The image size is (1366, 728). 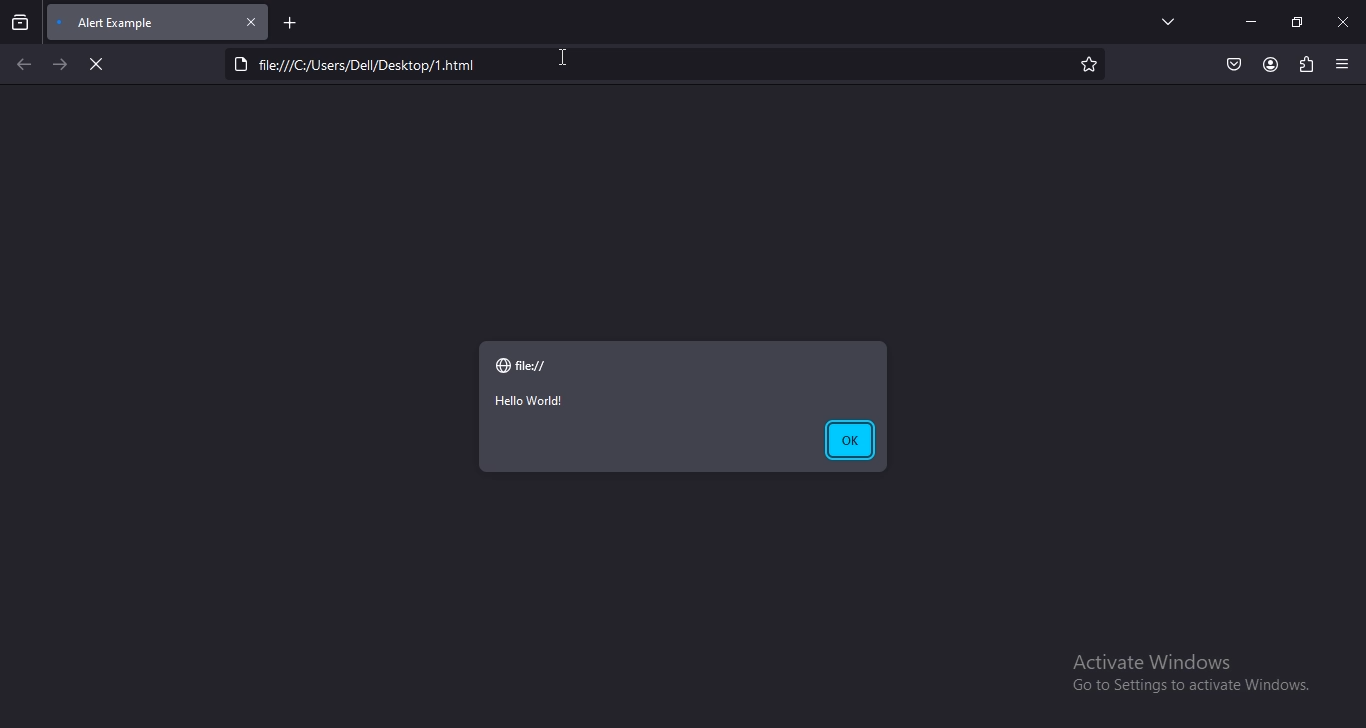 What do you see at coordinates (1345, 20) in the screenshot?
I see `close` at bounding box center [1345, 20].